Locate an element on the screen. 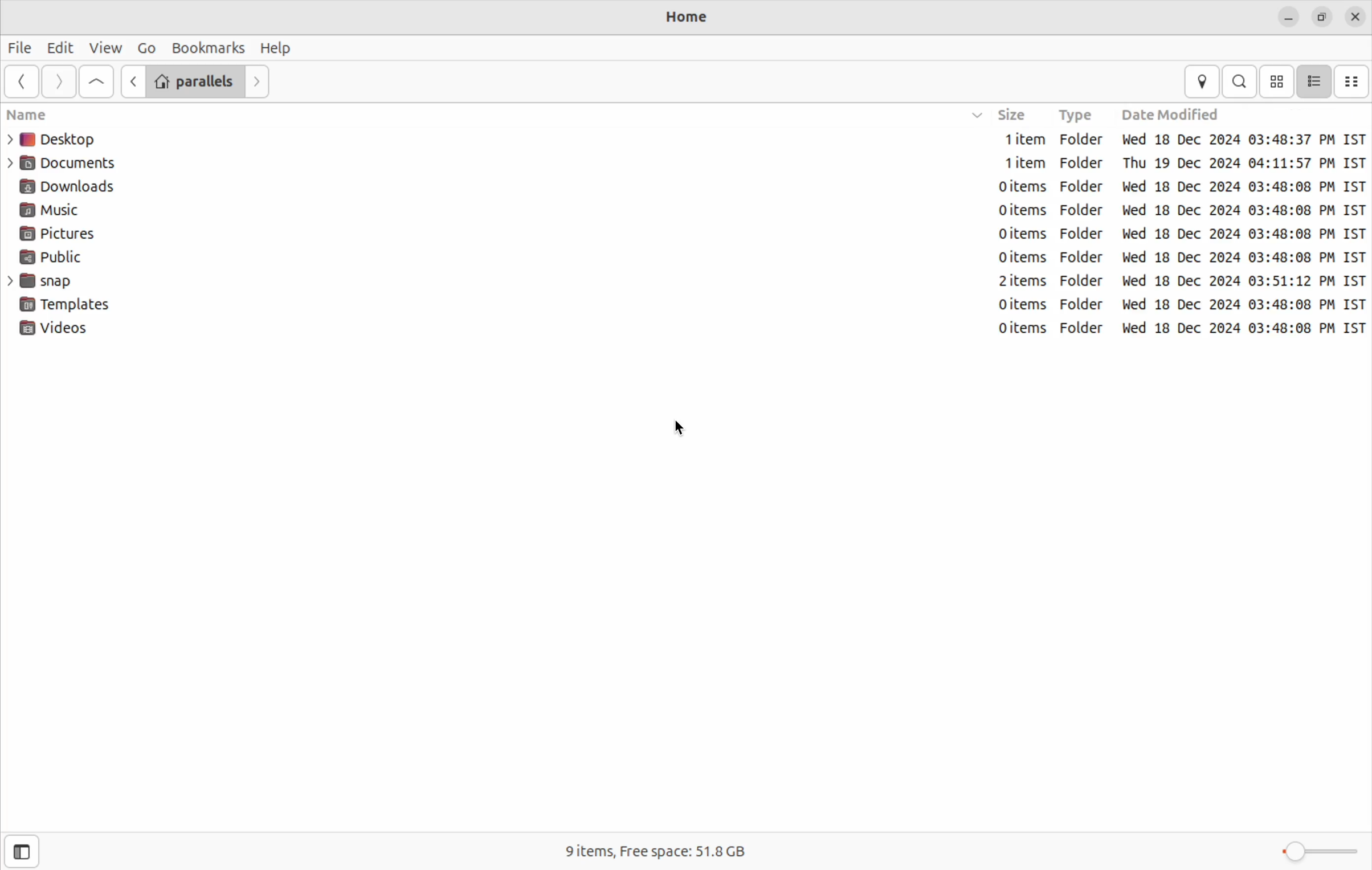 Image resolution: width=1372 pixels, height=870 pixels. cursor is located at coordinates (686, 428).